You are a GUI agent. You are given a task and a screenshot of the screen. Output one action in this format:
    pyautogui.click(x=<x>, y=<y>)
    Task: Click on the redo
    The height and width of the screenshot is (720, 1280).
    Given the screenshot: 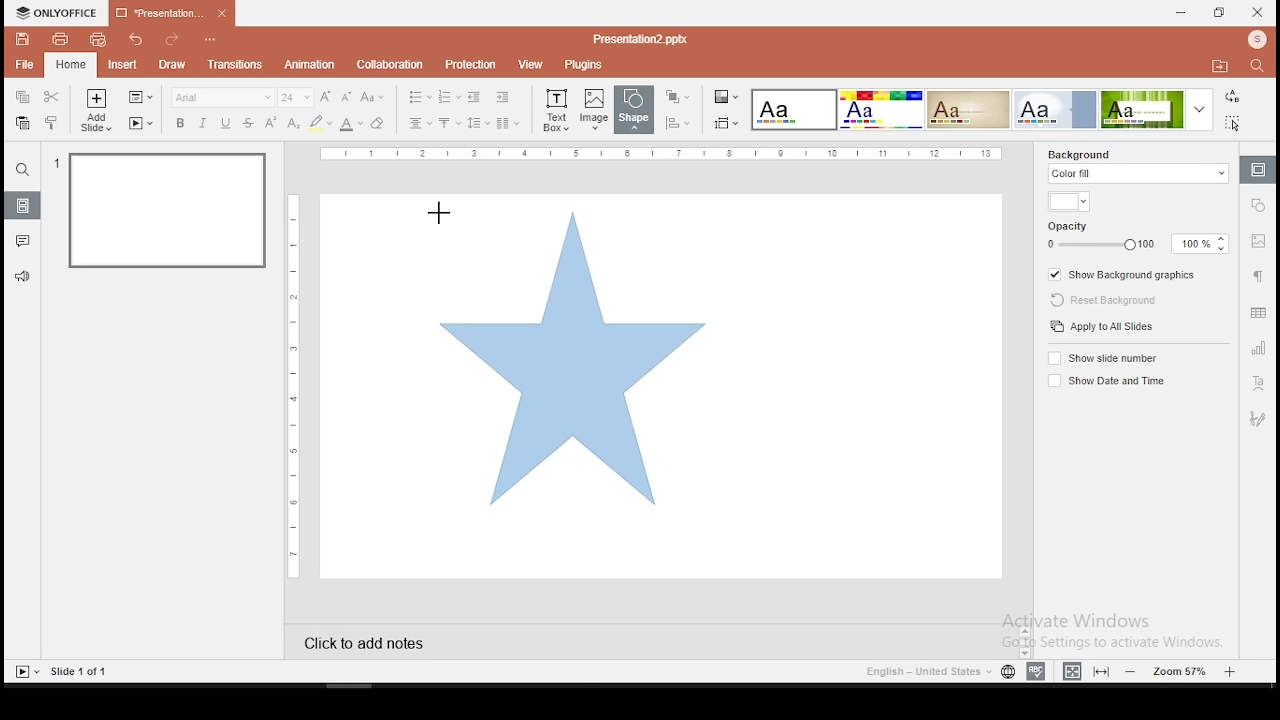 What is the action you would take?
    pyautogui.click(x=171, y=41)
    